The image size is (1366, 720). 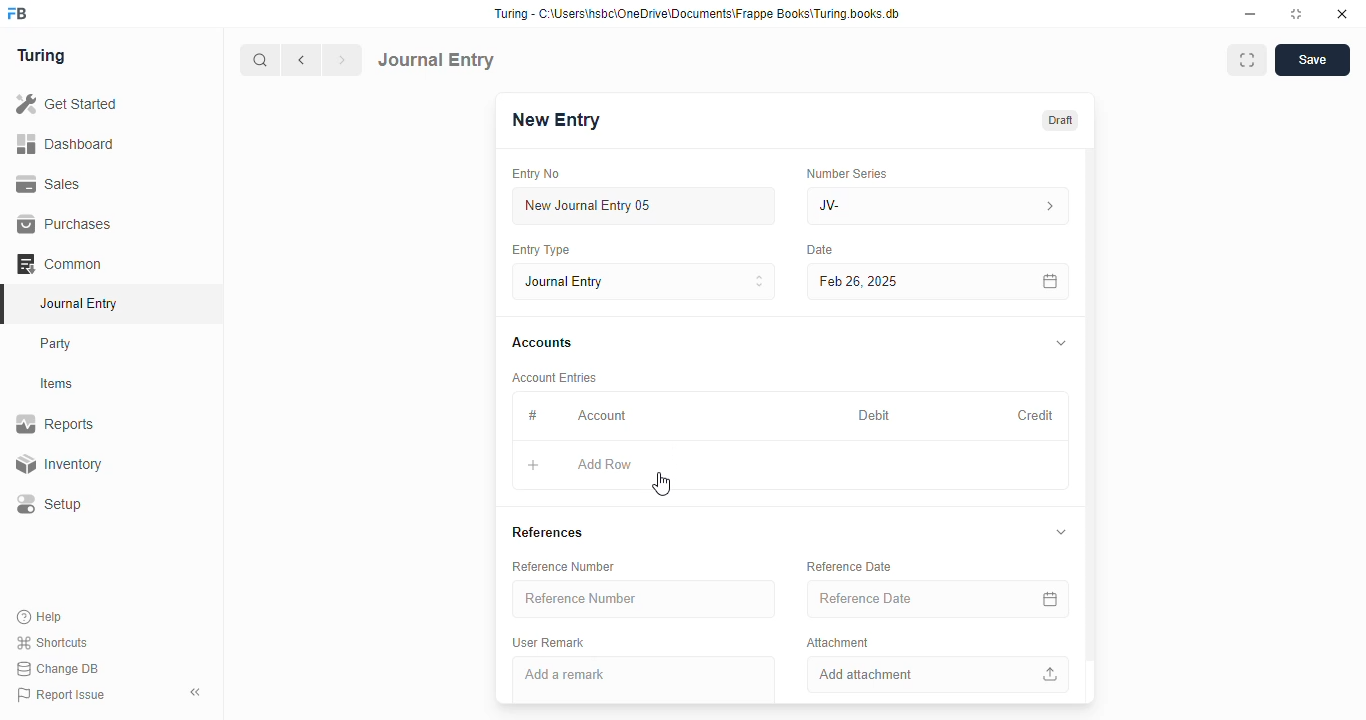 What do you see at coordinates (644, 680) in the screenshot?
I see `add a remark` at bounding box center [644, 680].